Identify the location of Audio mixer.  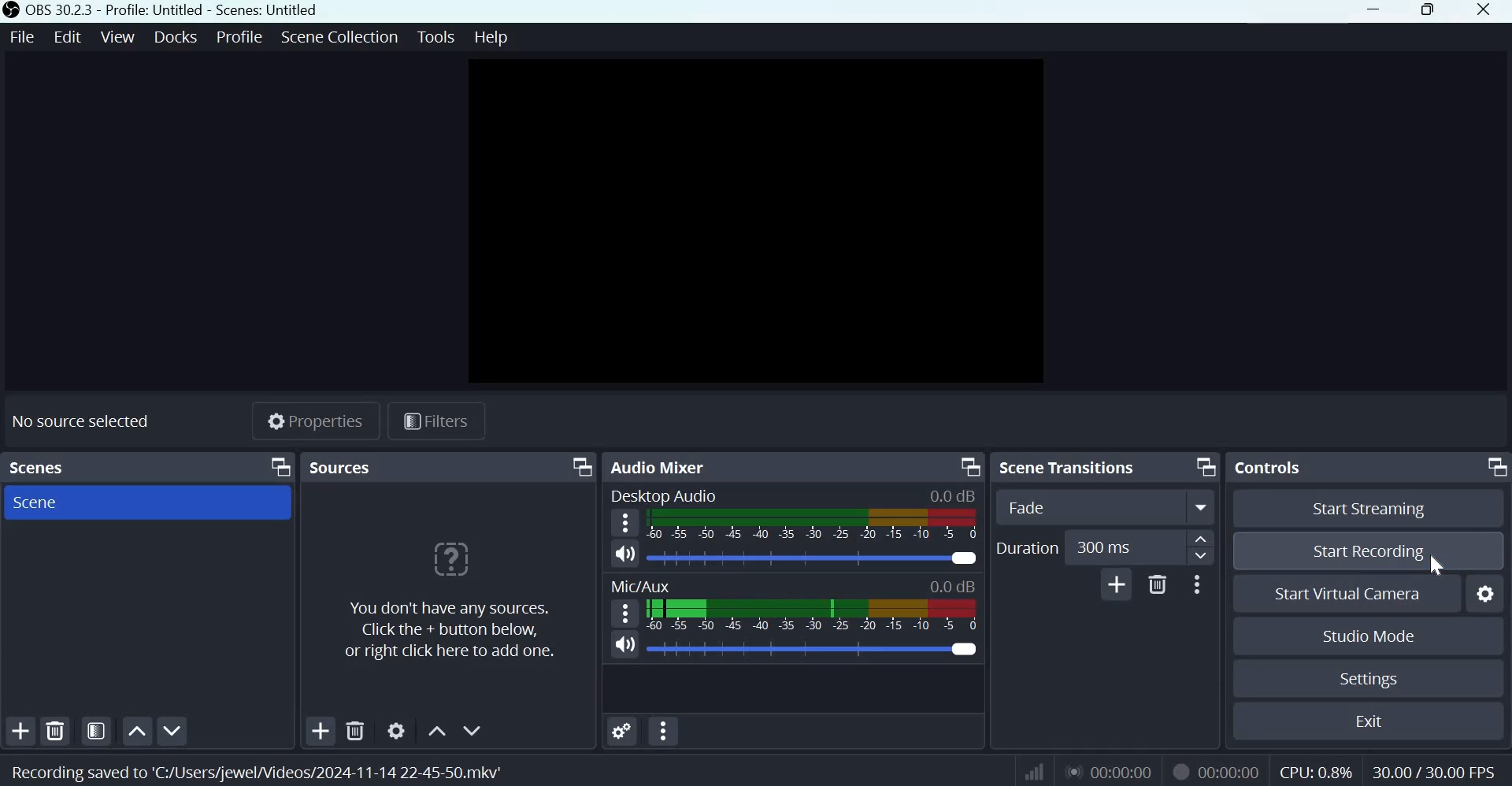
(661, 466).